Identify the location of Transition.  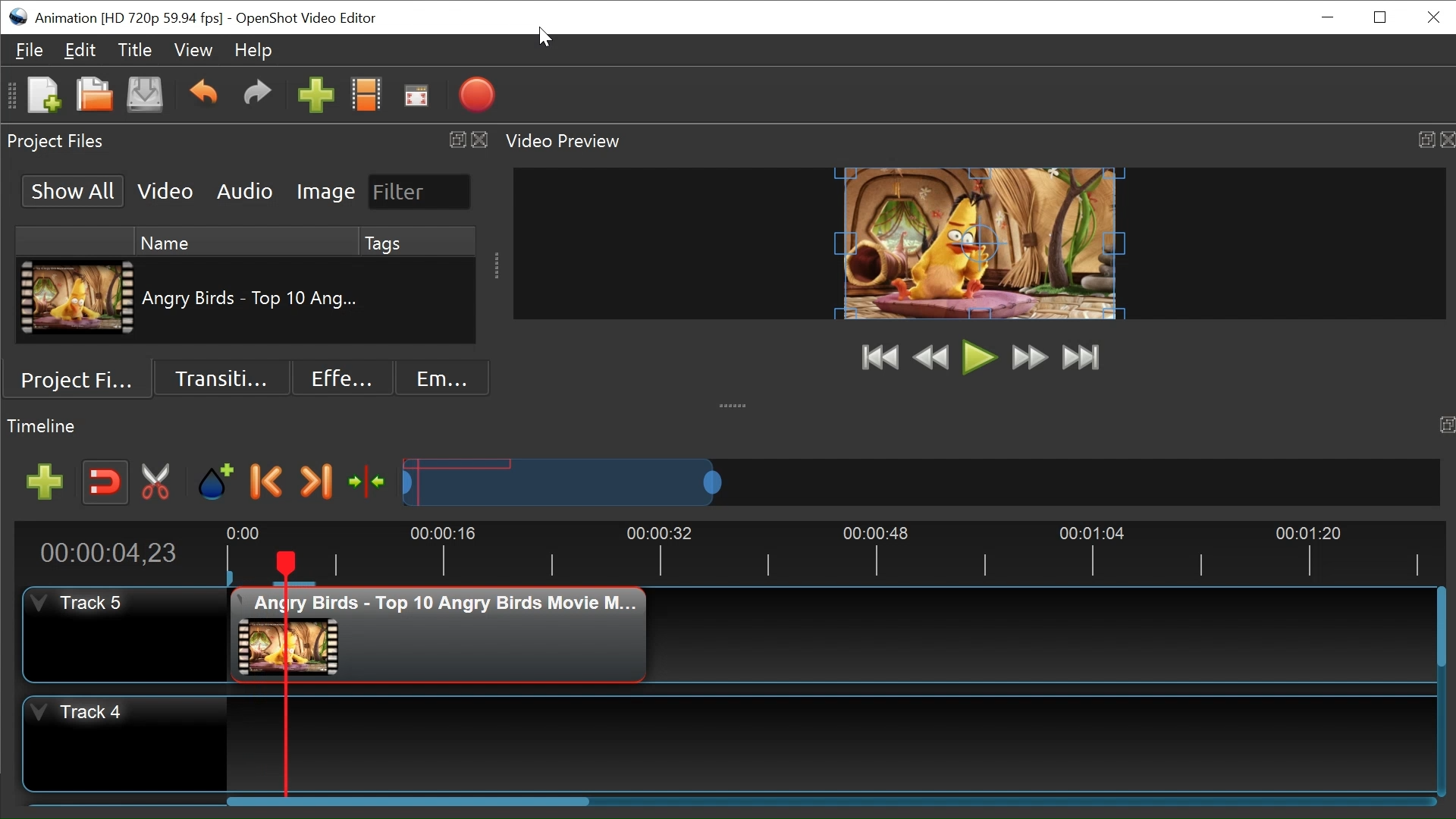
(219, 379).